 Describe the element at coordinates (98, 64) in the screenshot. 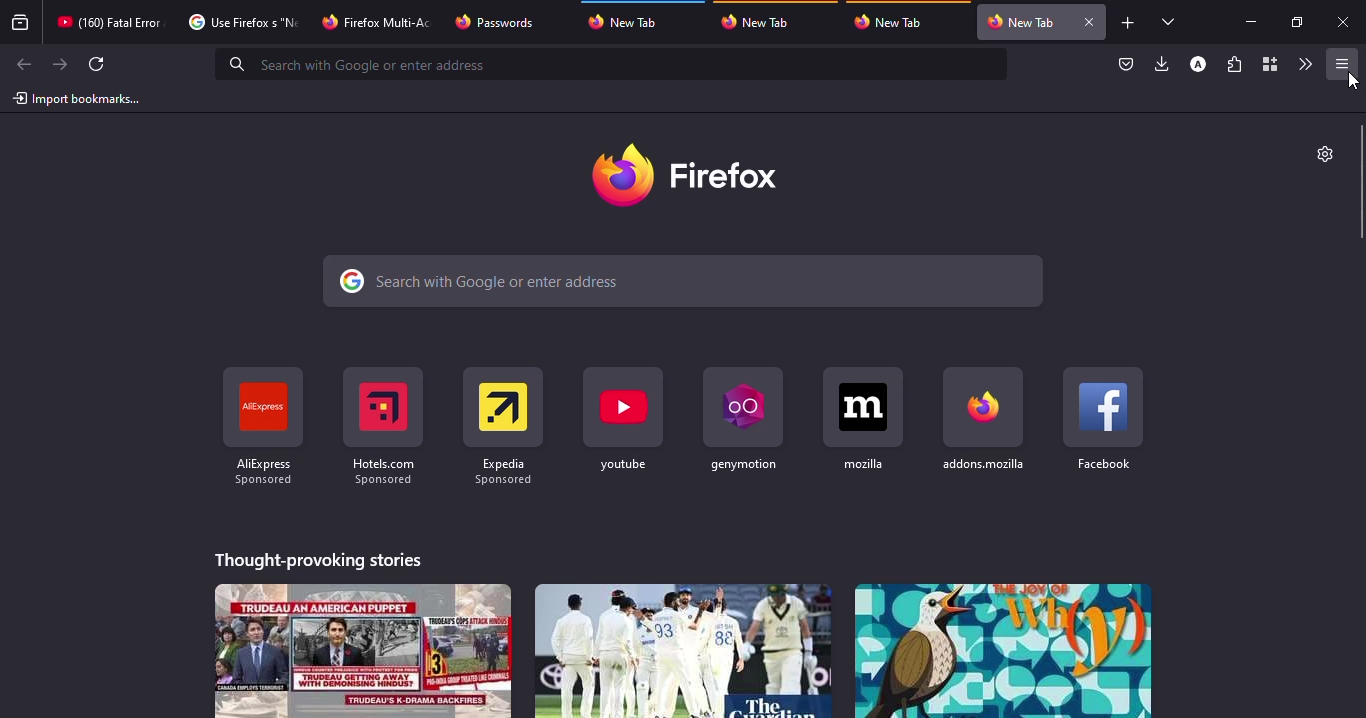

I see `refresh` at that location.